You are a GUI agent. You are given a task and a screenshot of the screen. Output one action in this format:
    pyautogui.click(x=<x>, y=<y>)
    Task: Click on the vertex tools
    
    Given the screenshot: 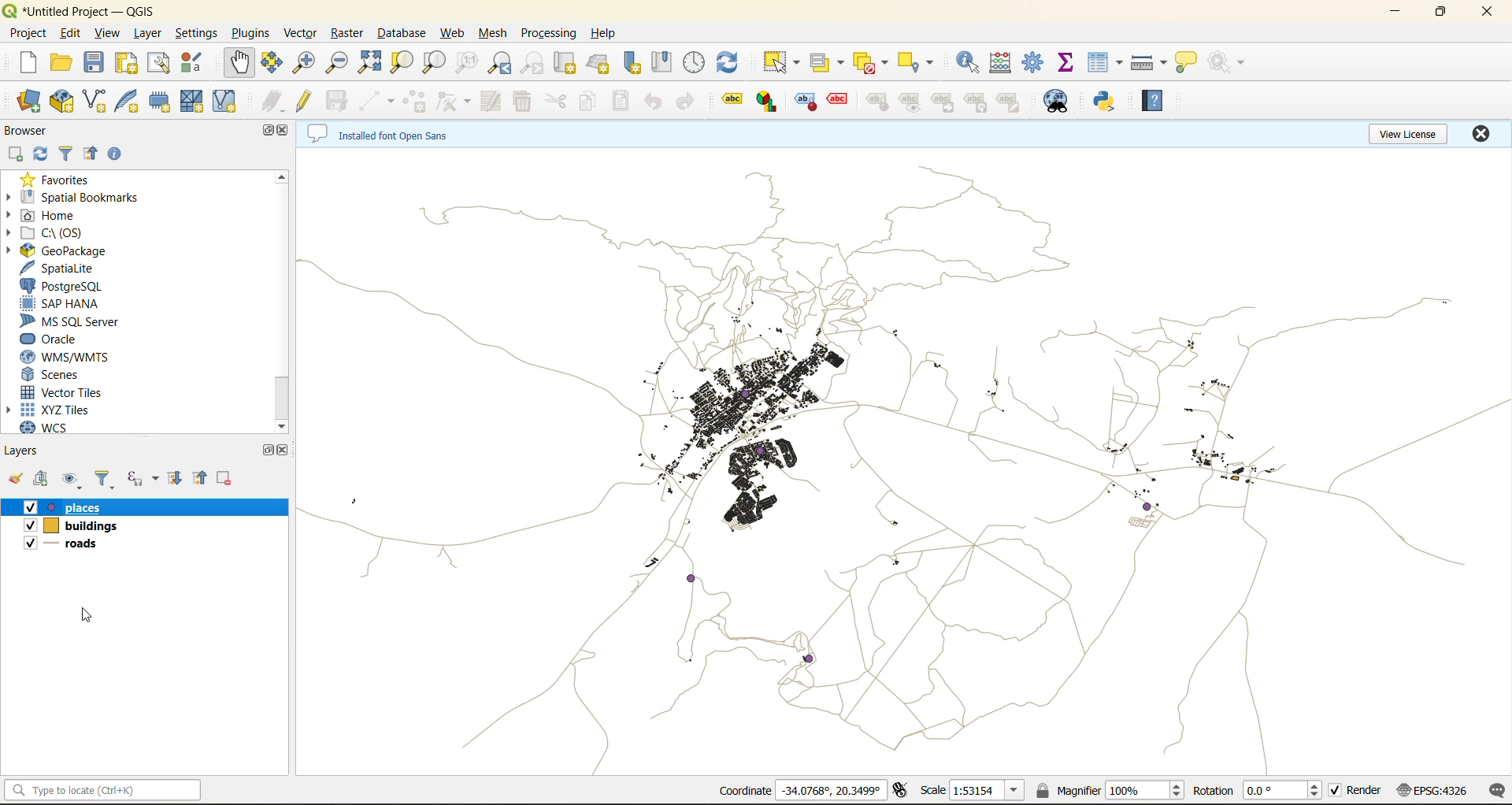 What is the action you would take?
    pyautogui.click(x=453, y=102)
    